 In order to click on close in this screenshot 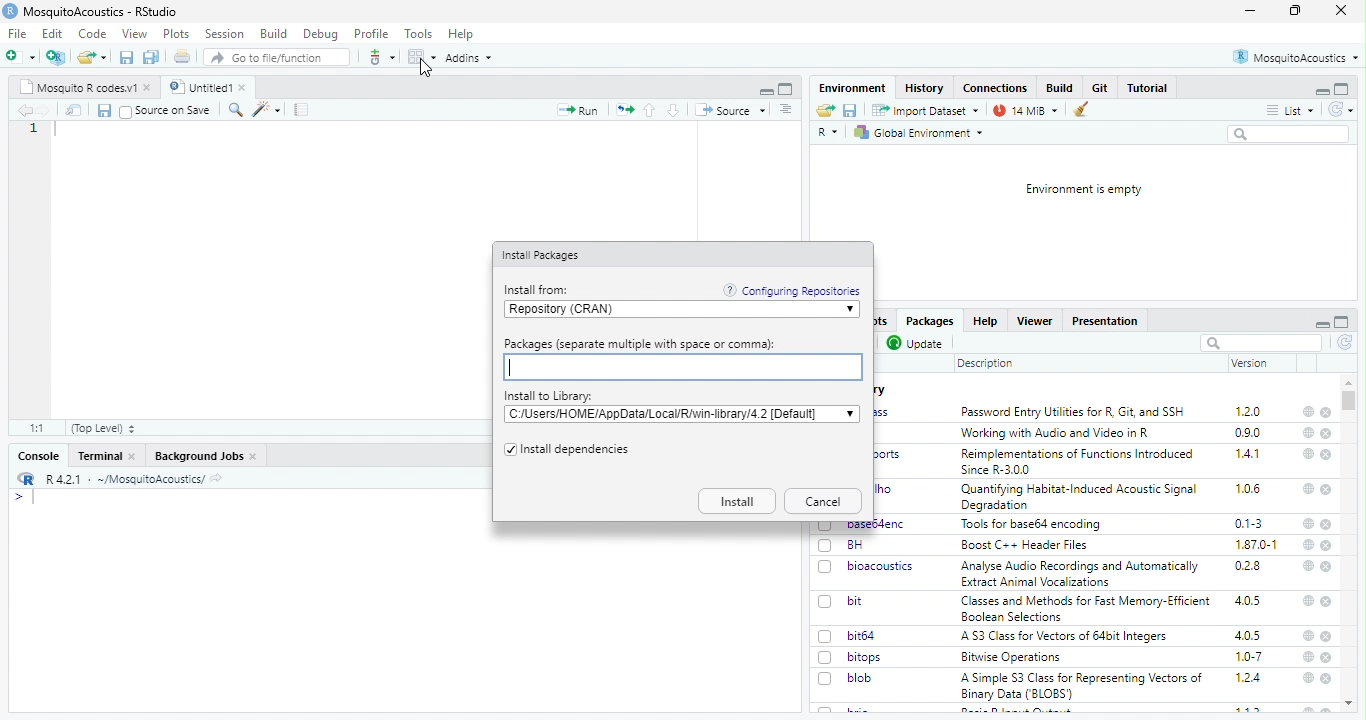, I will do `click(1328, 567)`.